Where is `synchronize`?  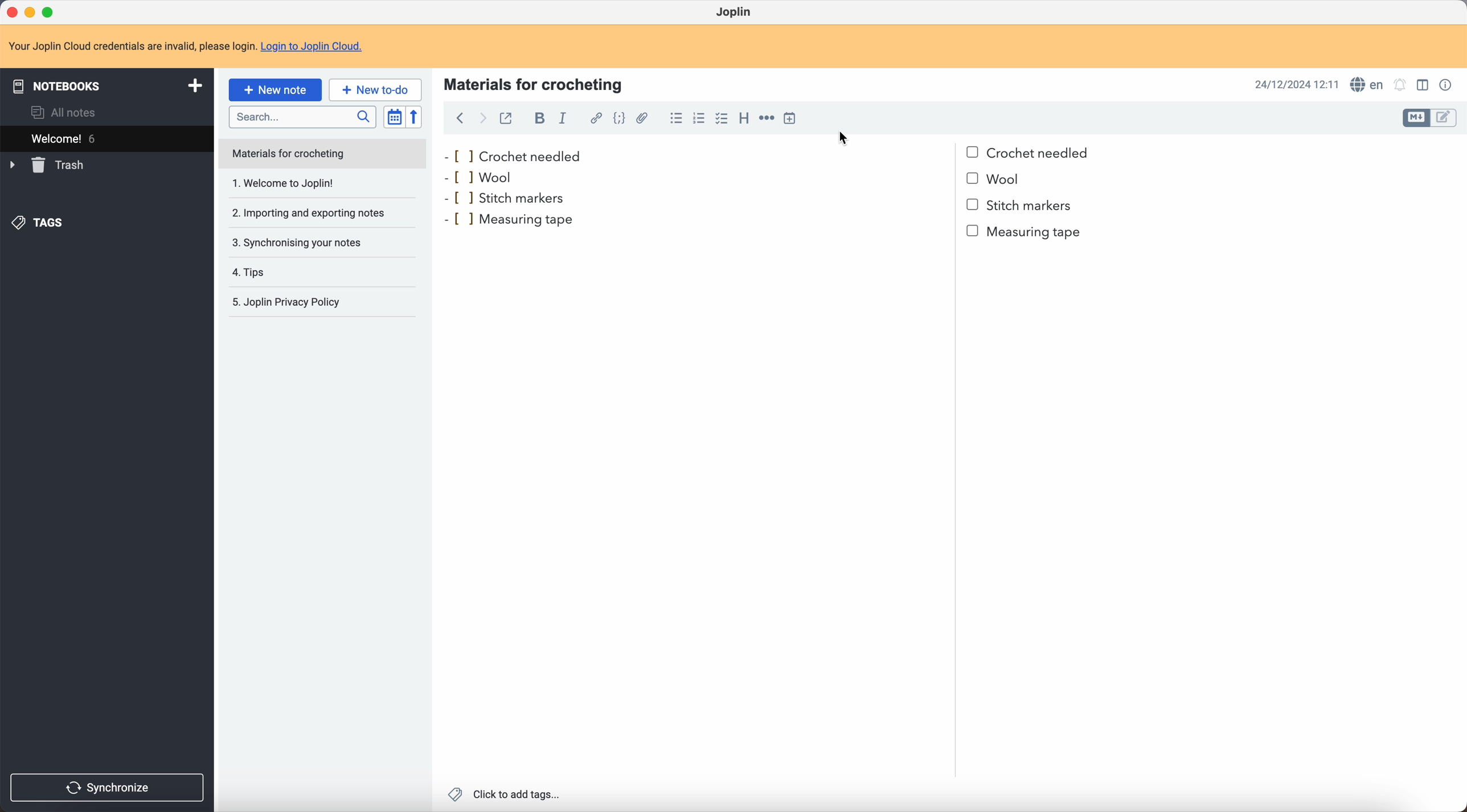
synchronize is located at coordinates (108, 788).